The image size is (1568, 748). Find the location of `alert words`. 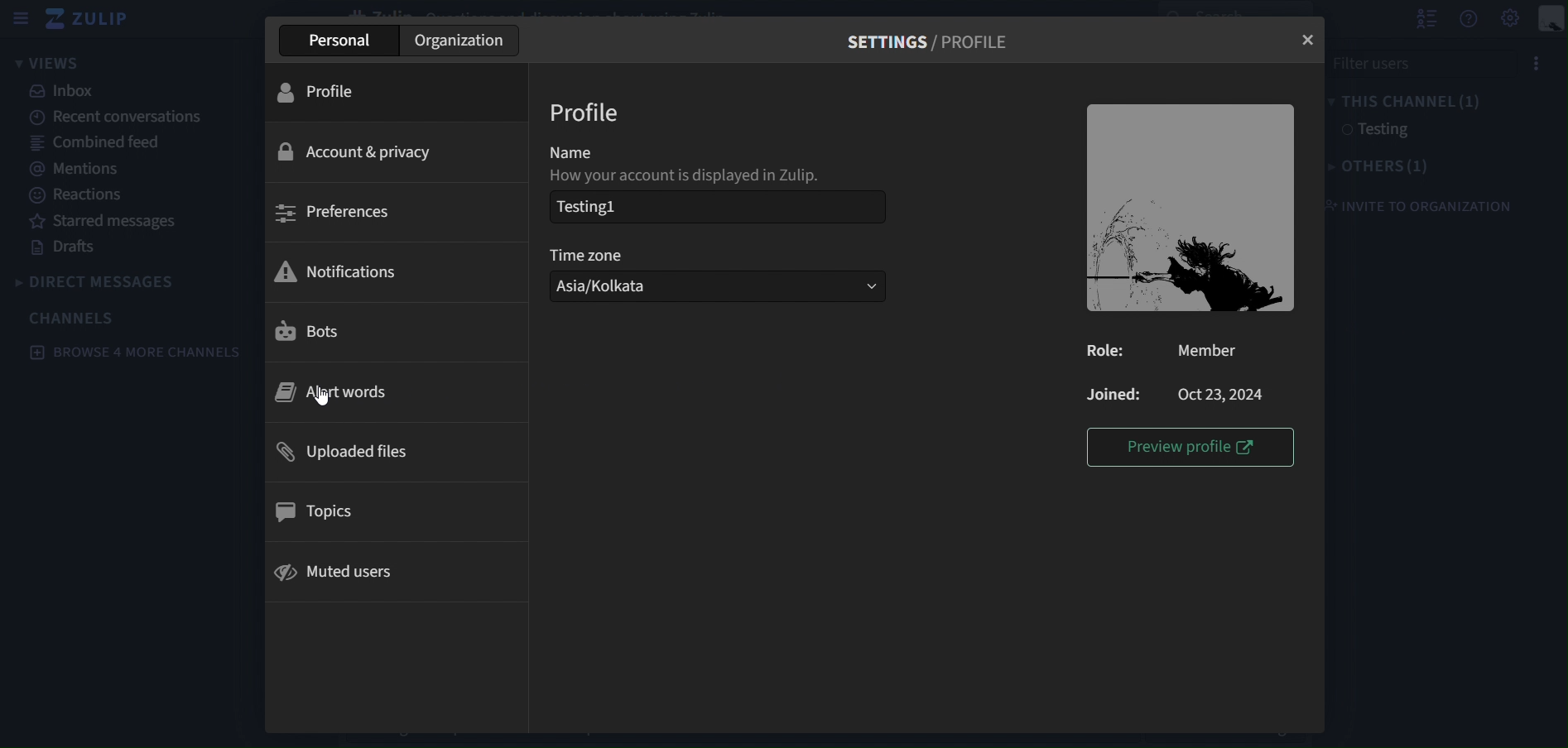

alert words is located at coordinates (352, 390).